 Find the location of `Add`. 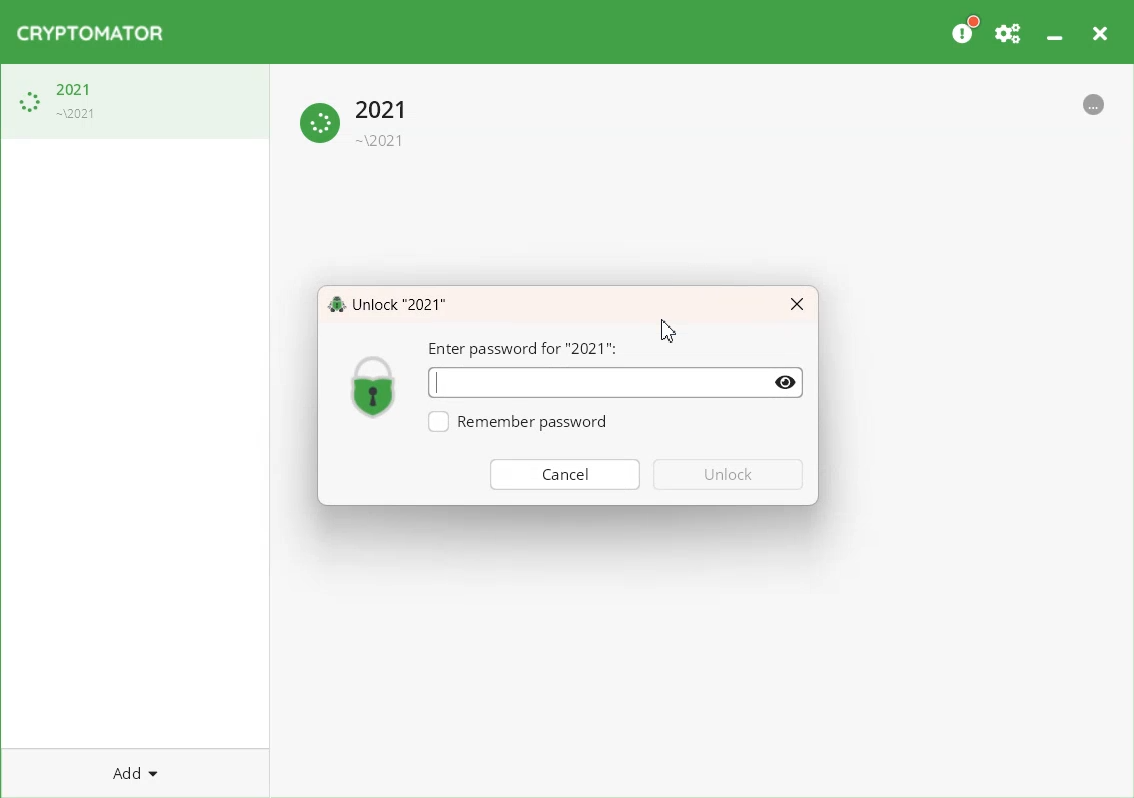

Add is located at coordinates (135, 772).